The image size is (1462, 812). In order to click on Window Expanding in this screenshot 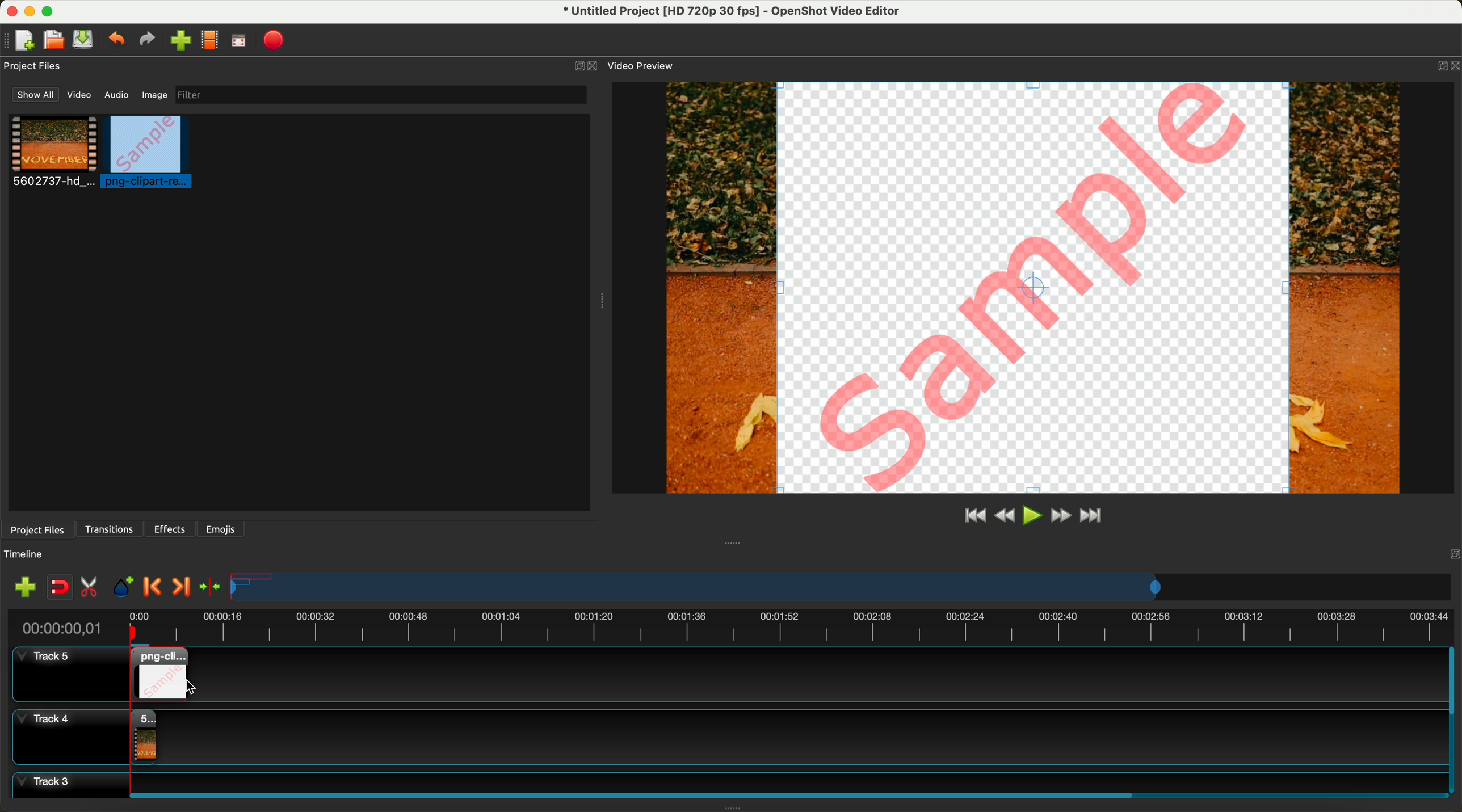, I will do `click(736, 807)`.